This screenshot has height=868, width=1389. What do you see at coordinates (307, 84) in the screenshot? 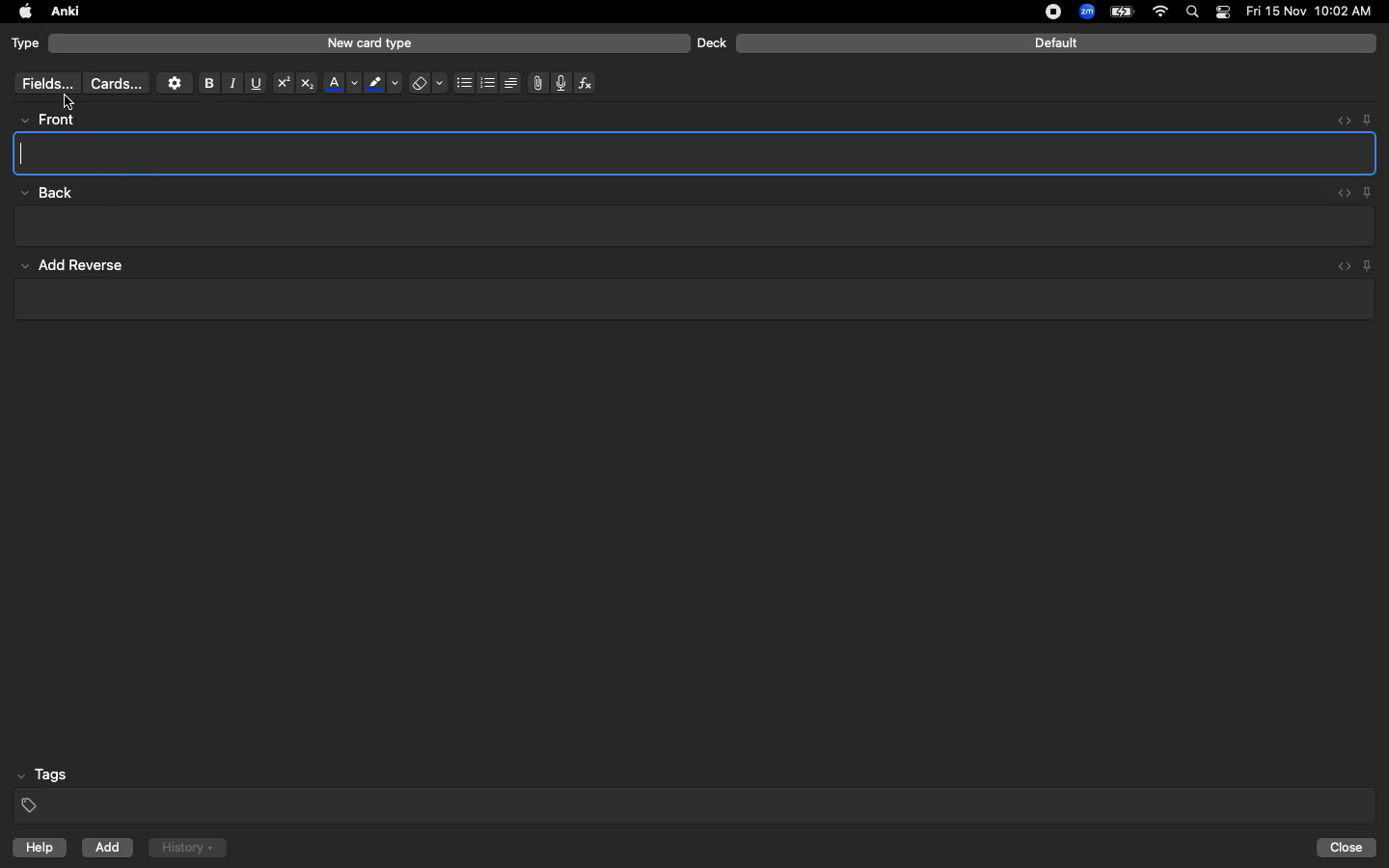
I see `Subscript` at bounding box center [307, 84].